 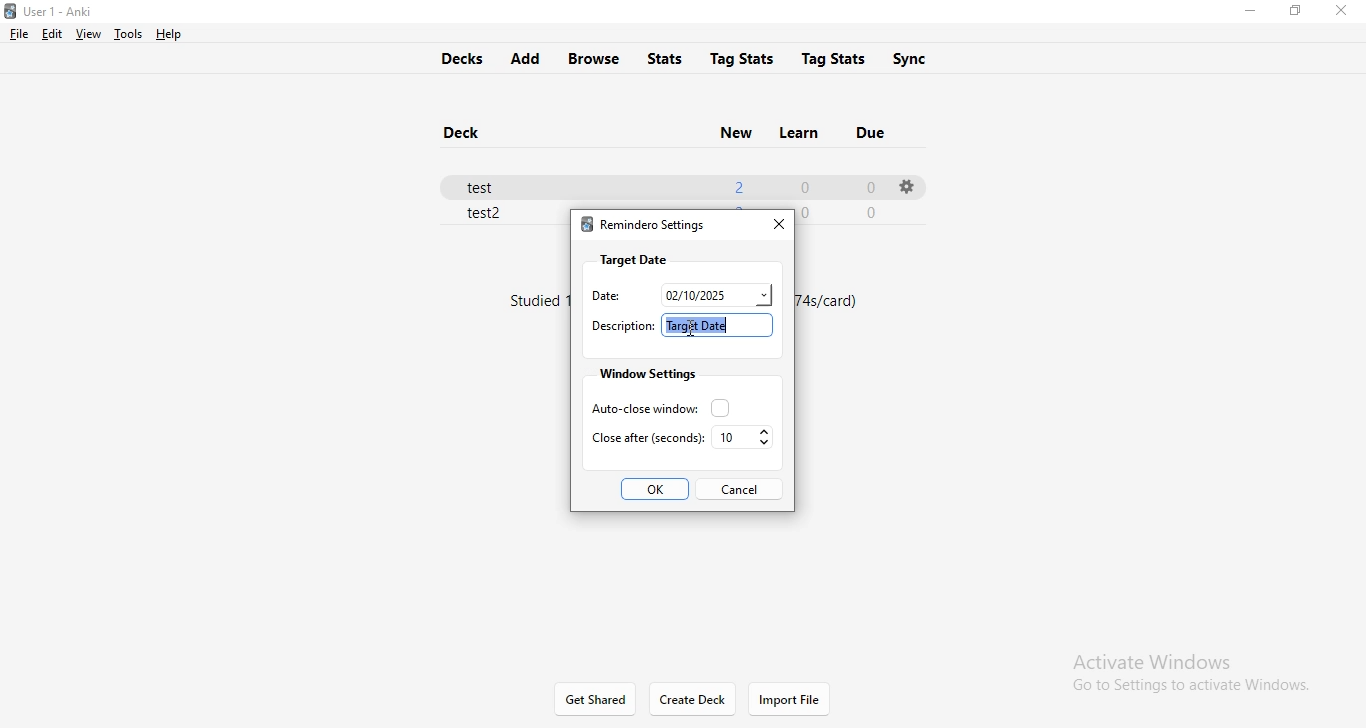 I want to click on 0, so click(x=804, y=185).